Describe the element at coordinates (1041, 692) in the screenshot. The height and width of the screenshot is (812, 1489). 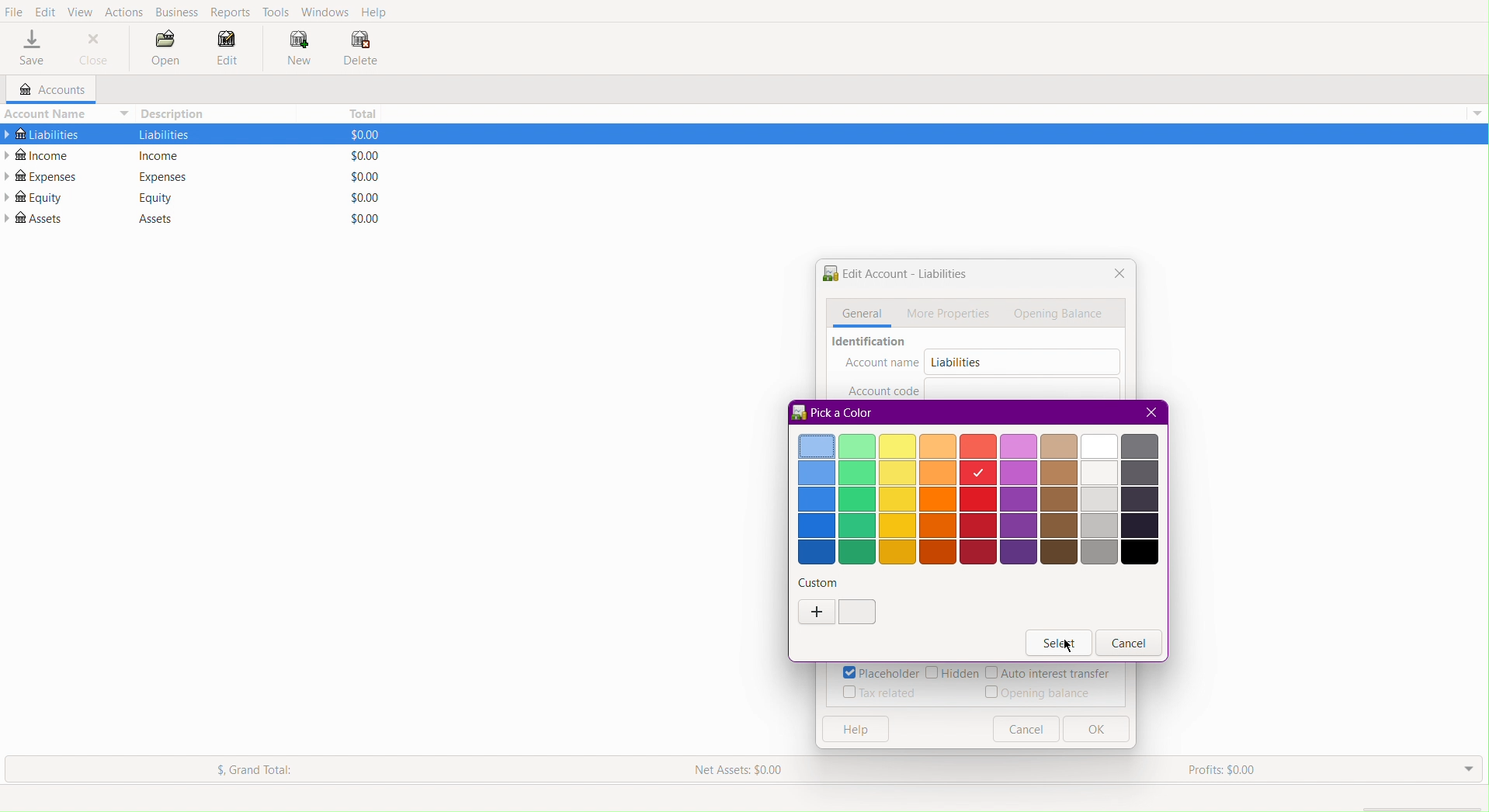
I see `Opening balance` at that location.